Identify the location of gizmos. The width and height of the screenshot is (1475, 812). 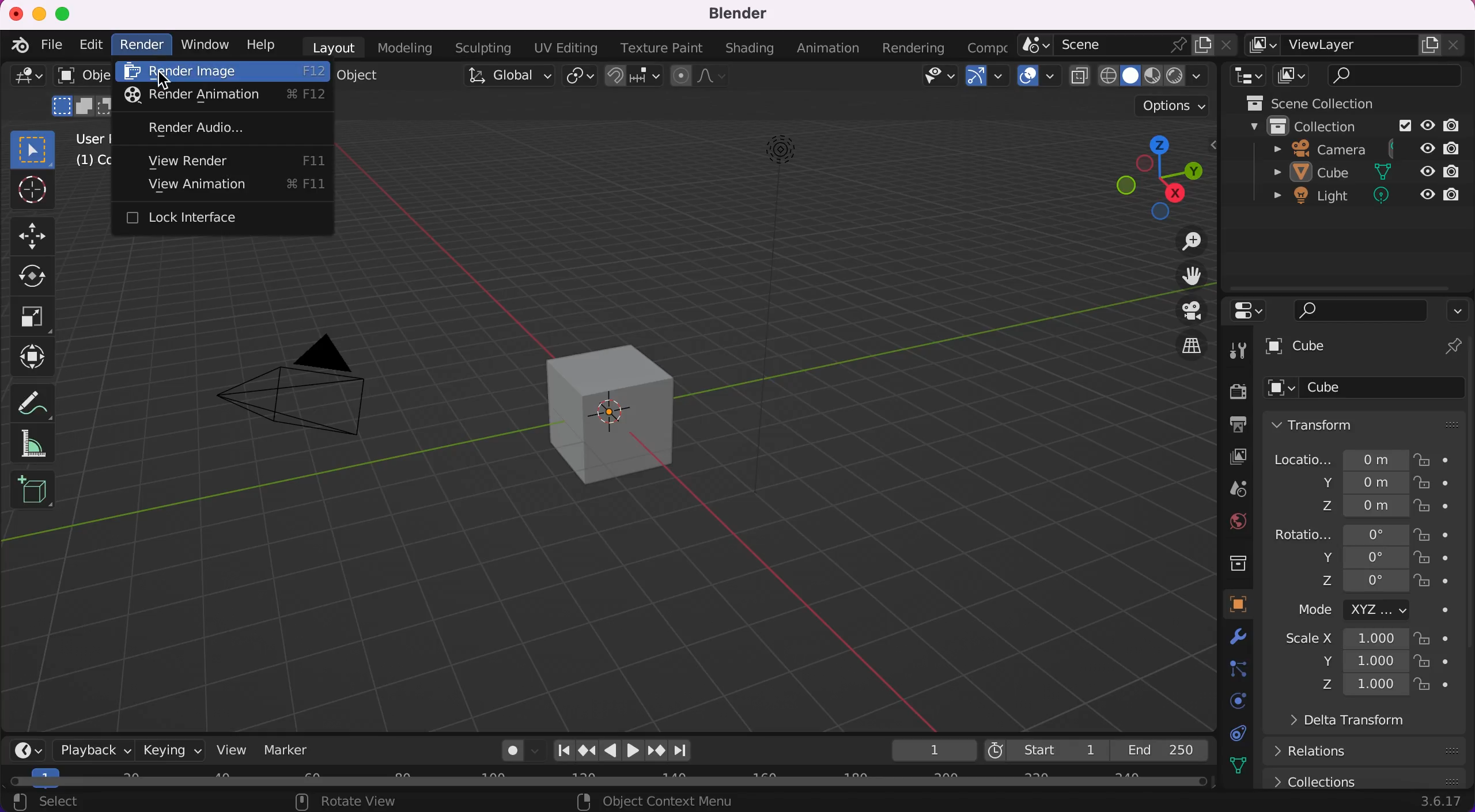
(988, 80).